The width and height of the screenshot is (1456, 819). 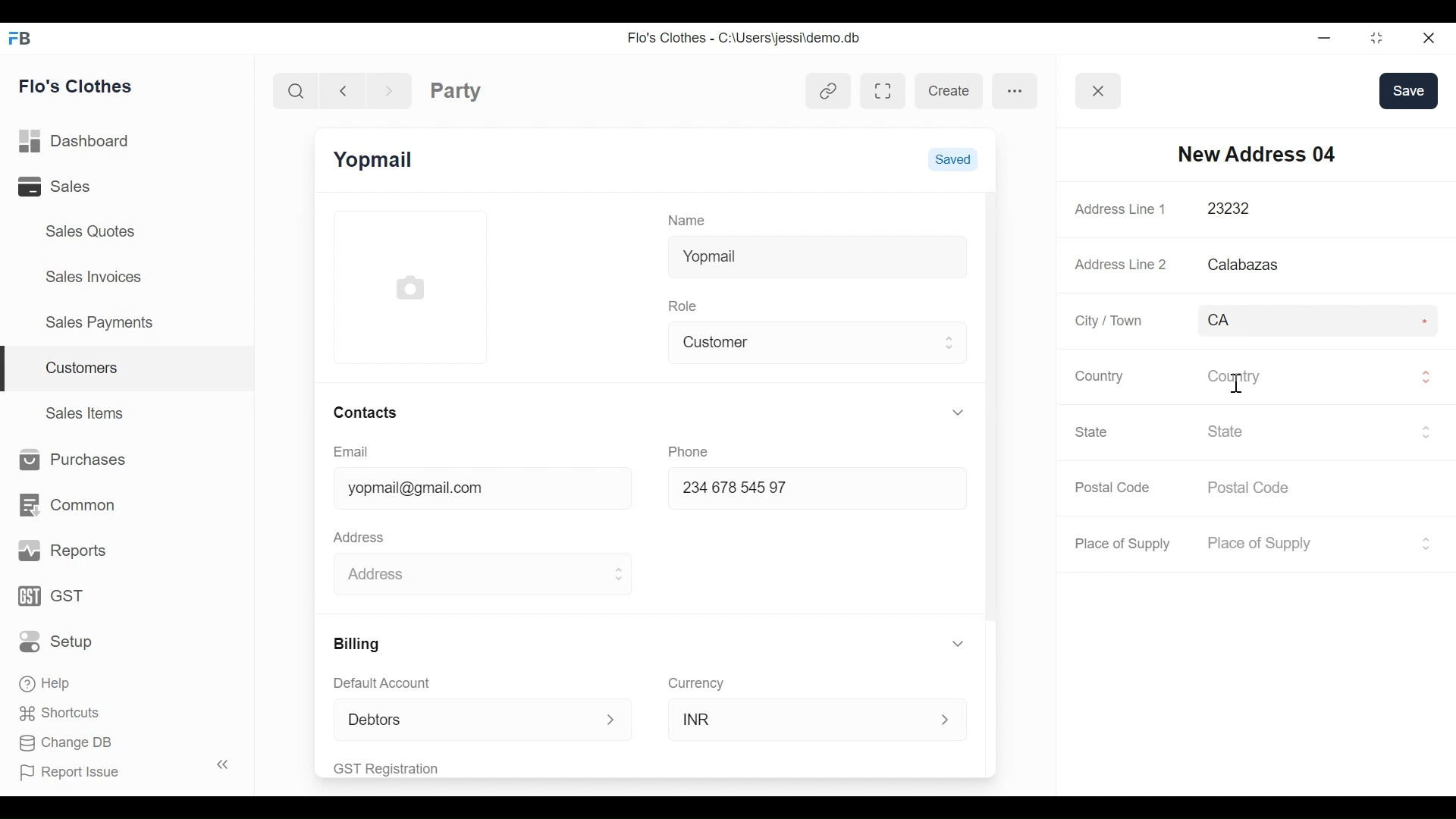 What do you see at coordinates (990, 407) in the screenshot?
I see `Vertical Scroll bar` at bounding box center [990, 407].